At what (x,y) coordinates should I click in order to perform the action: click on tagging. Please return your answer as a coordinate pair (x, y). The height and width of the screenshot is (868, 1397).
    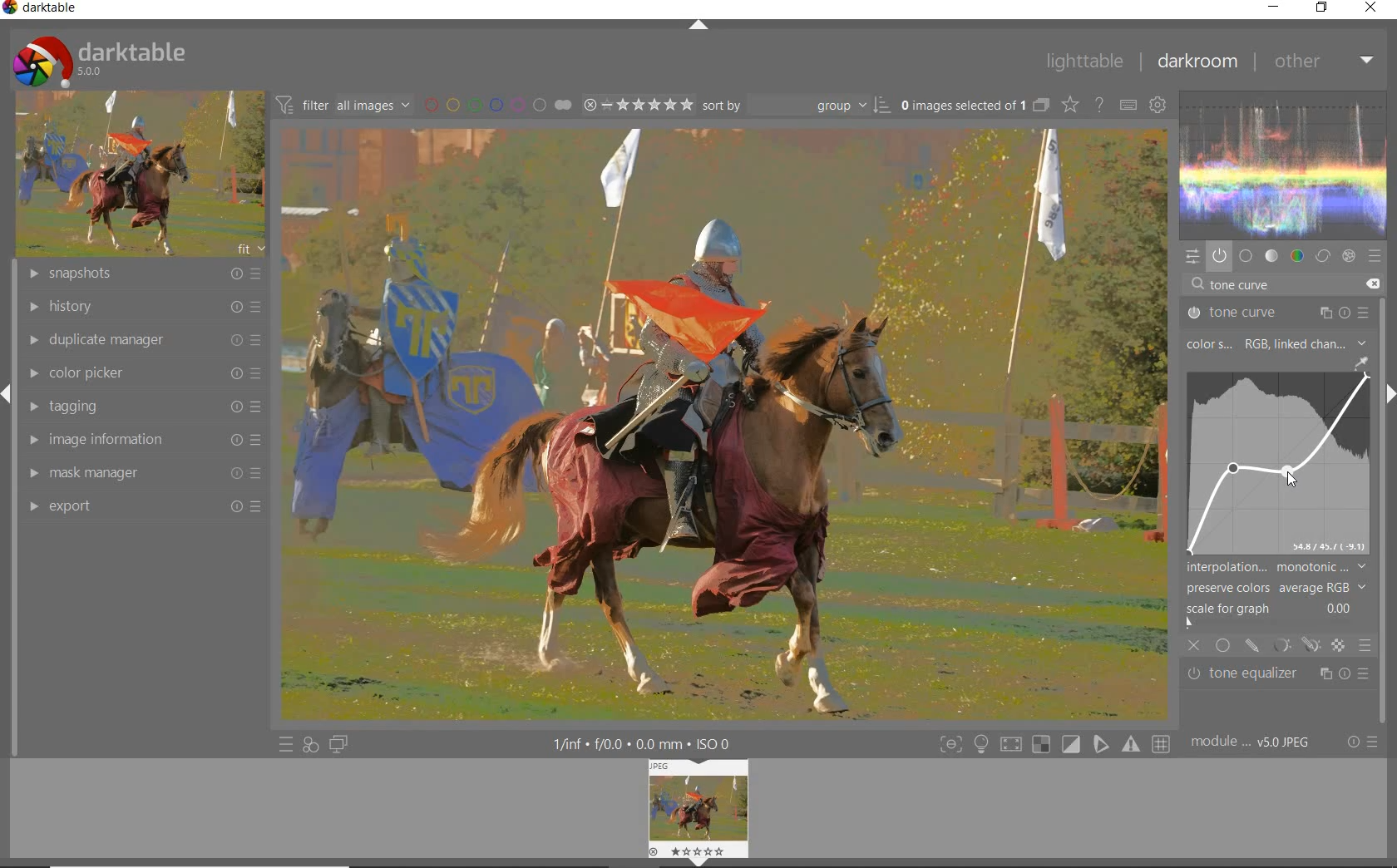
    Looking at the image, I should click on (141, 407).